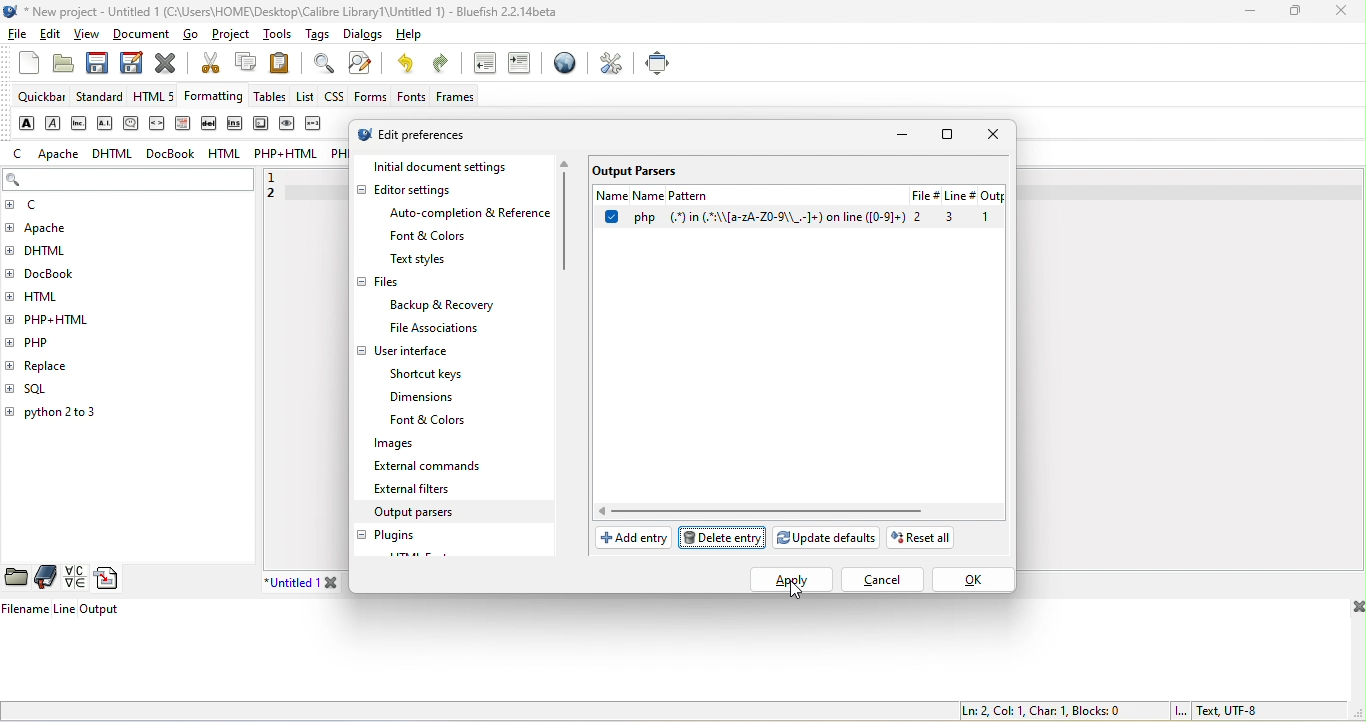 This screenshot has height=722, width=1366. Describe the element at coordinates (419, 260) in the screenshot. I see `text style` at that location.